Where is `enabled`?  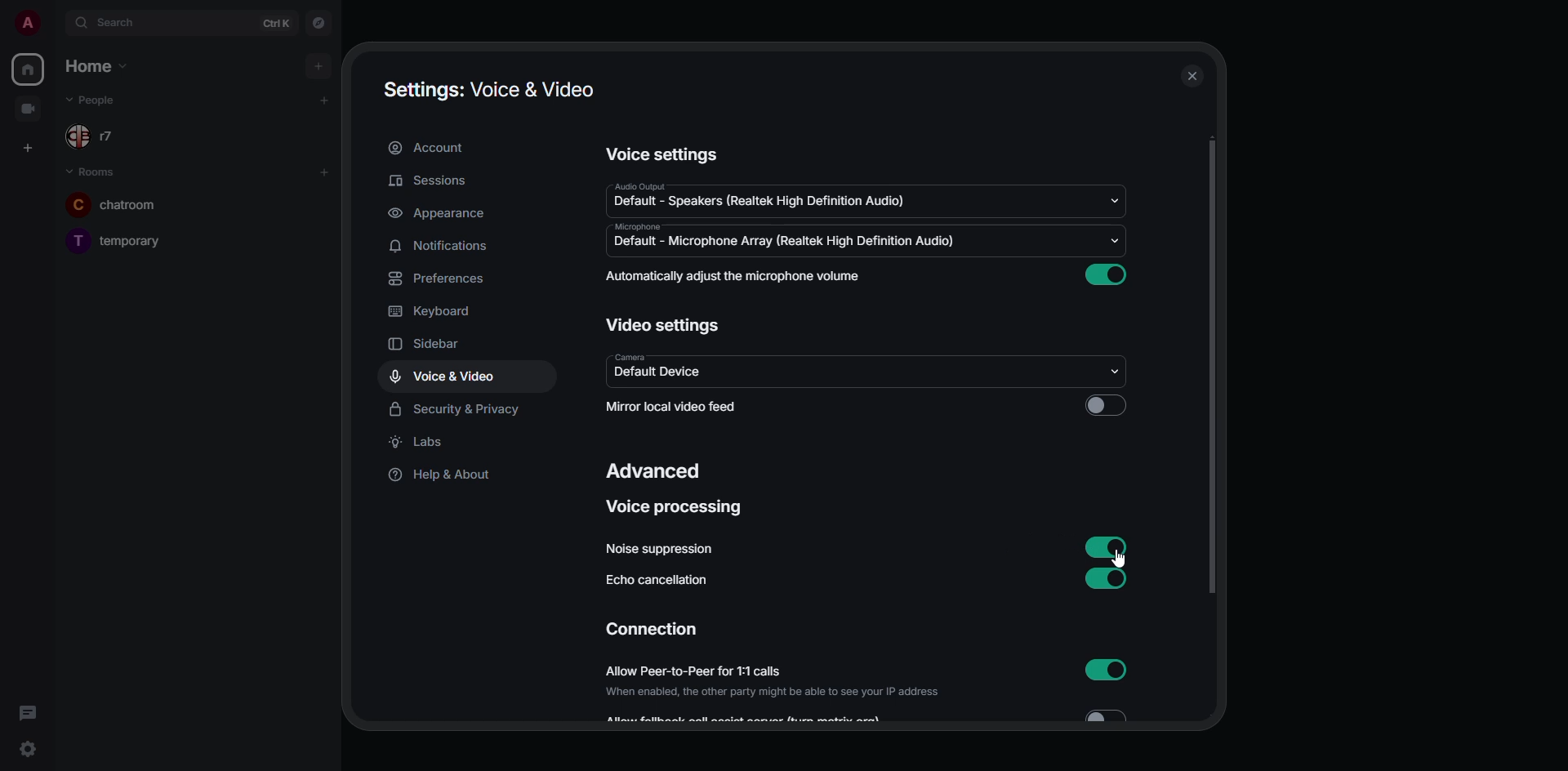
enabled is located at coordinates (1108, 577).